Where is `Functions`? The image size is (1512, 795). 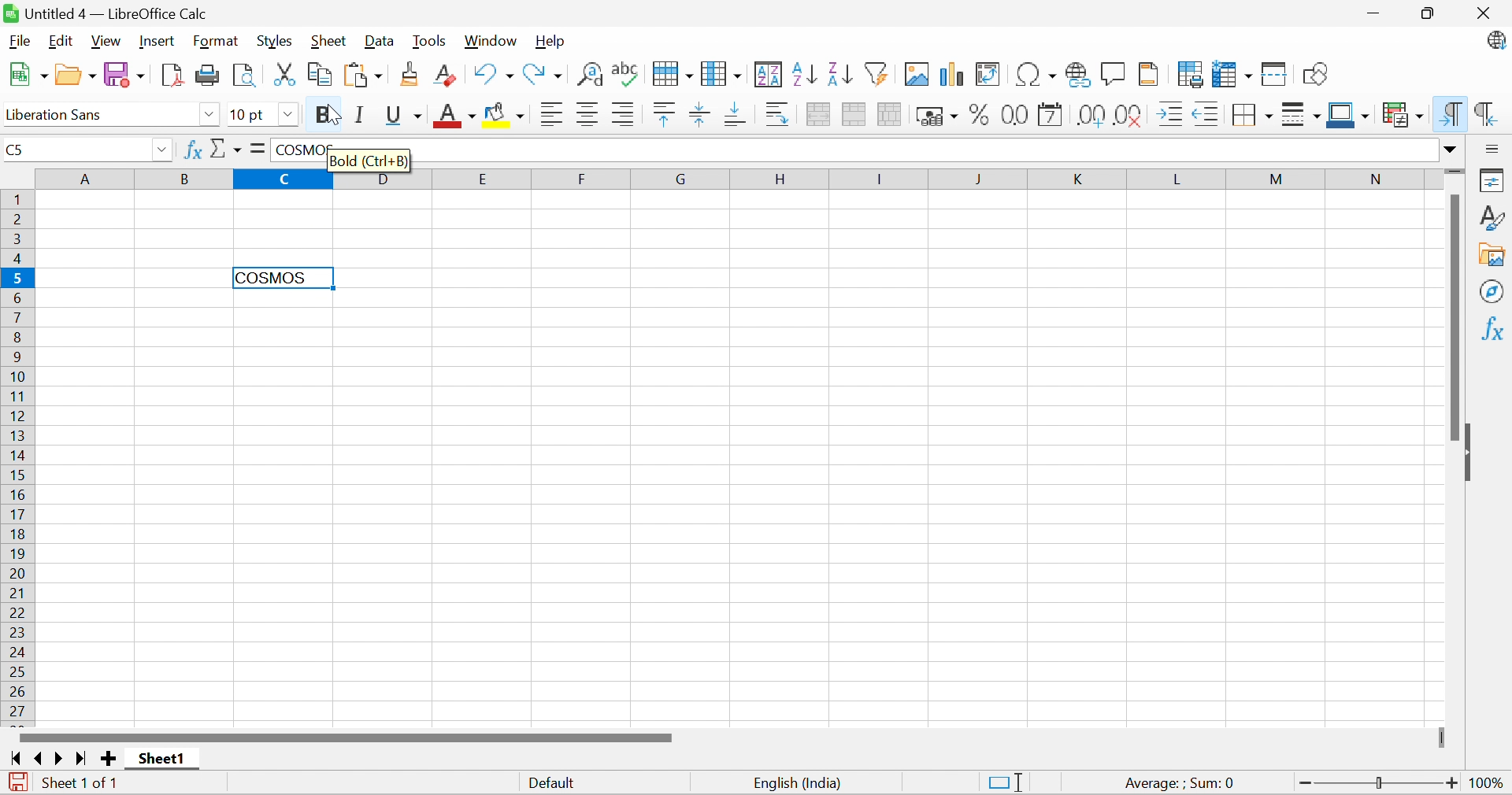 Functions is located at coordinates (1495, 327).